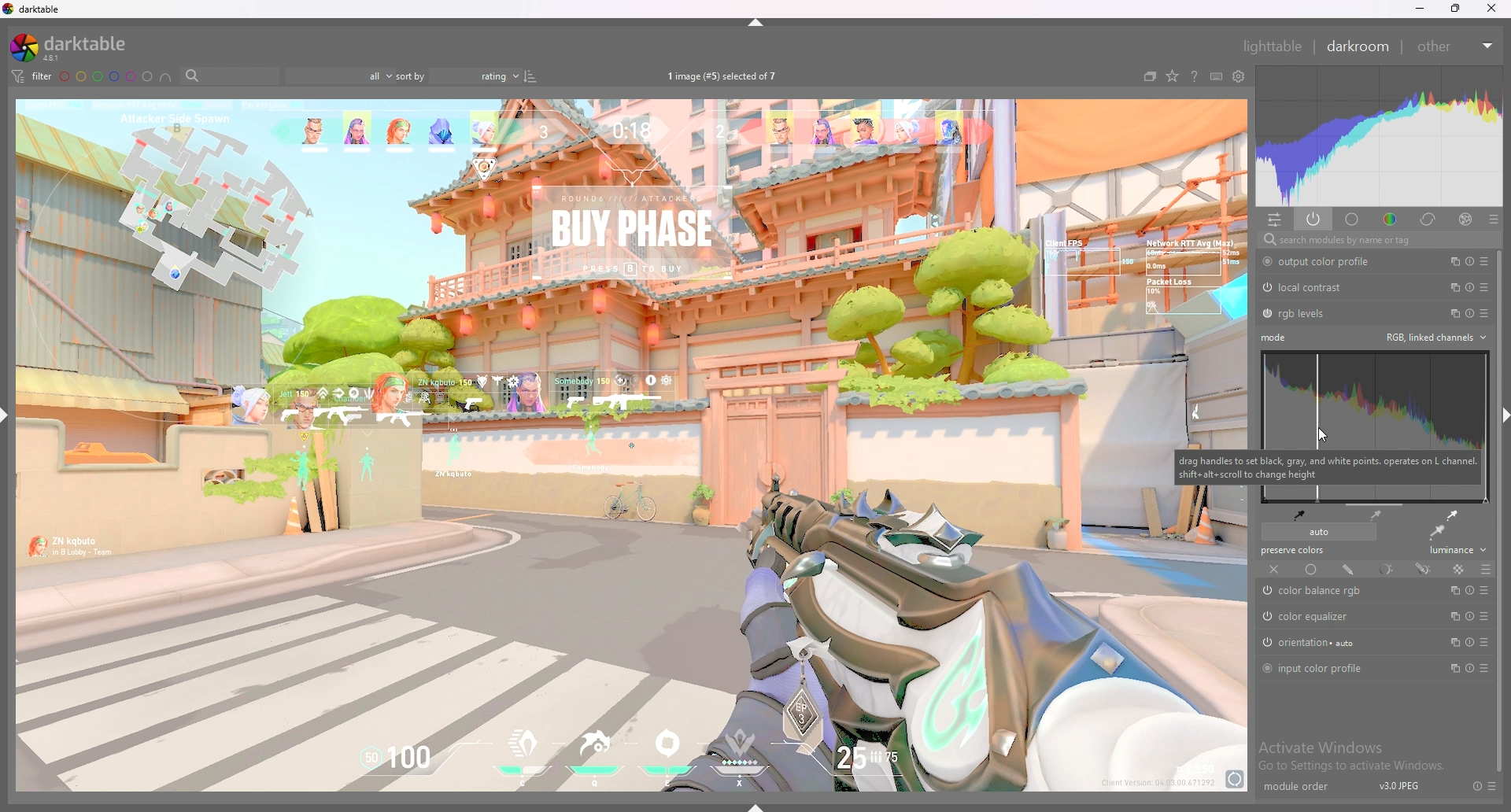 Image resolution: width=1511 pixels, height=812 pixels. I want to click on switched on, so click(1266, 617).